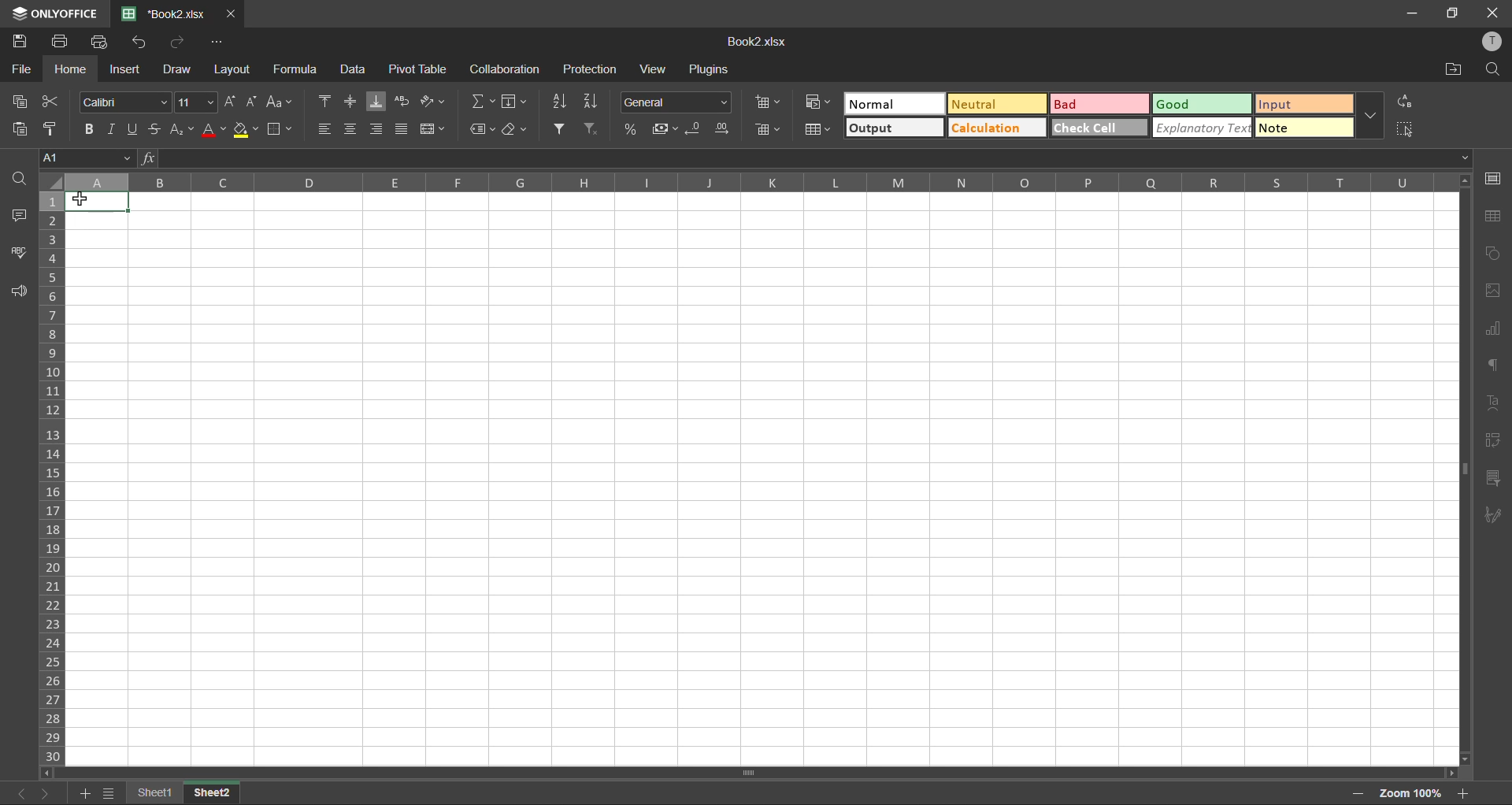 This screenshot has width=1512, height=805. Describe the element at coordinates (1306, 127) in the screenshot. I see `note` at that location.